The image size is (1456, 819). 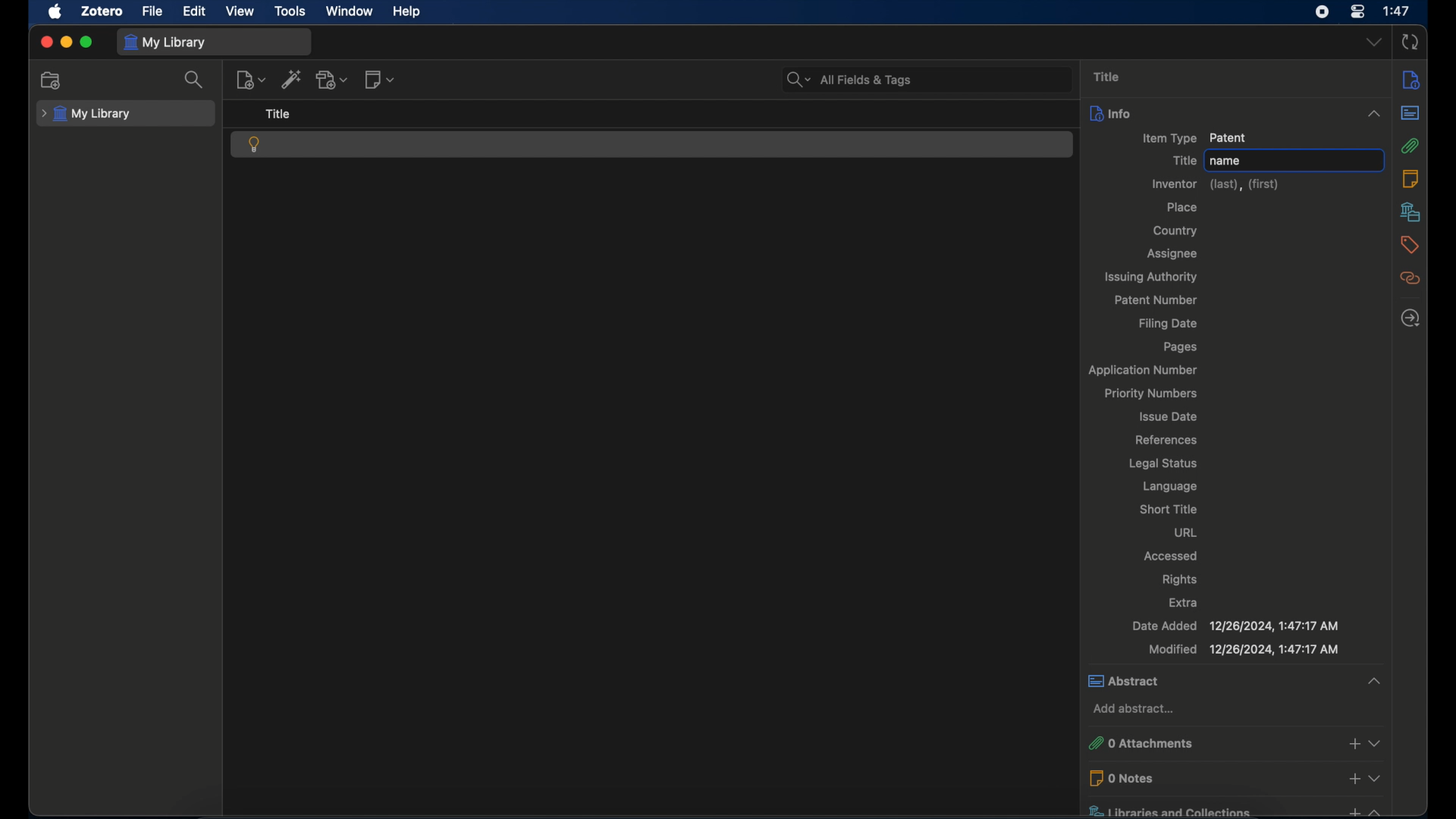 What do you see at coordinates (1411, 114) in the screenshot?
I see `abstract` at bounding box center [1411, 114].